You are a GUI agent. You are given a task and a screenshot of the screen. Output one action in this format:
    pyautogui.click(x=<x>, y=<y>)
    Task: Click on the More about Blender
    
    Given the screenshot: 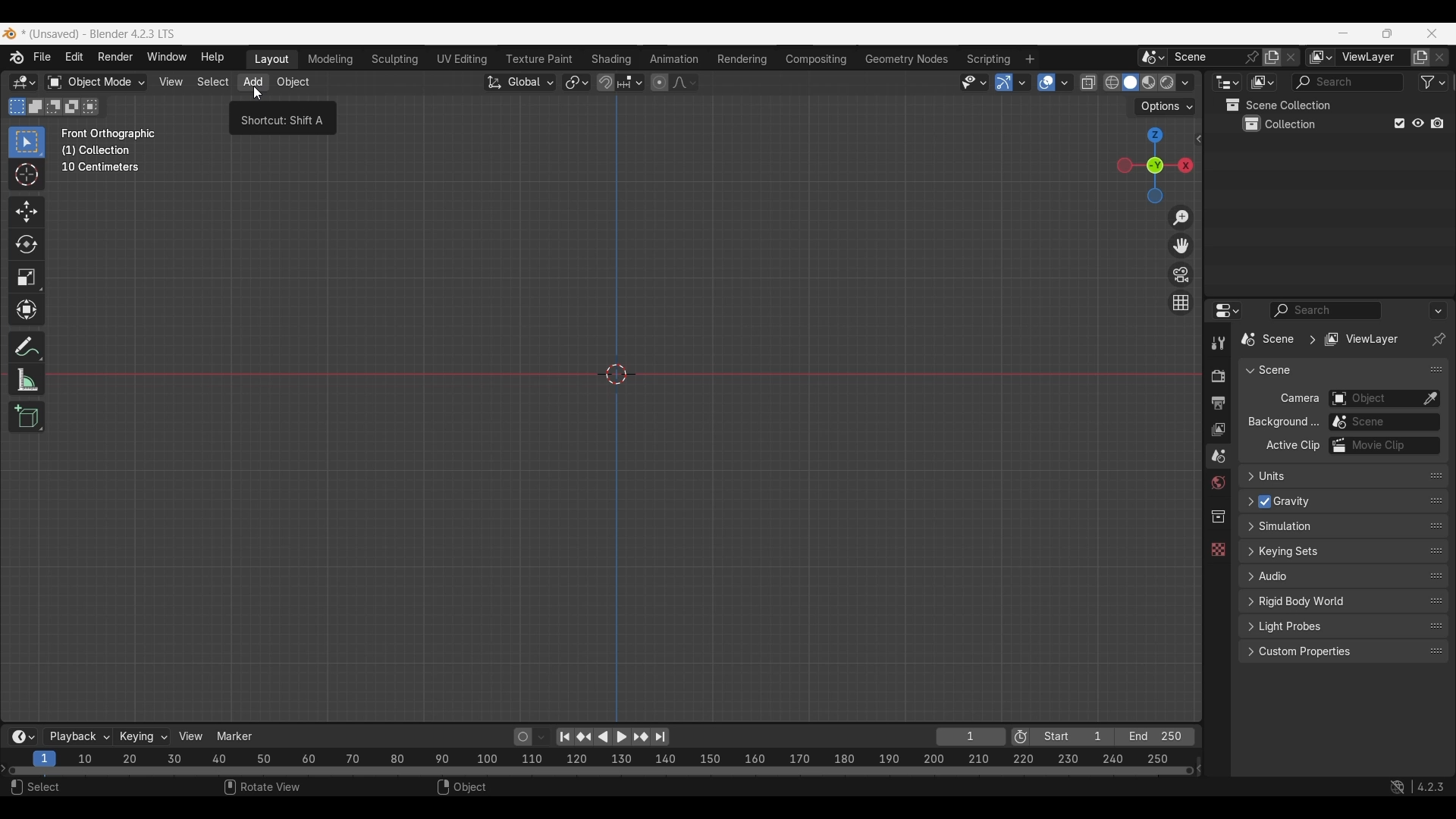 What is the action you would take?
    pyautogui.click(x=17, y=58)
    